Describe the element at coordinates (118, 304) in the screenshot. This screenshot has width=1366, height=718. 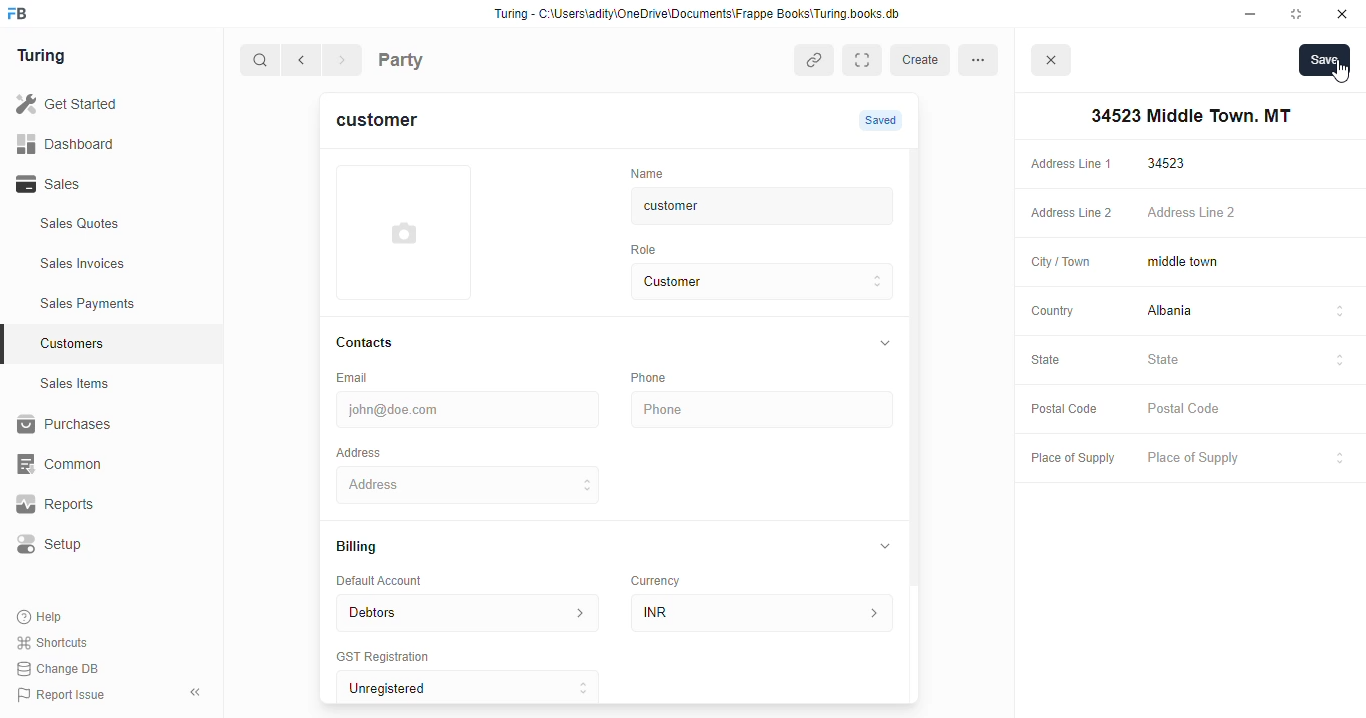
I see `Sales Payments` at that location.